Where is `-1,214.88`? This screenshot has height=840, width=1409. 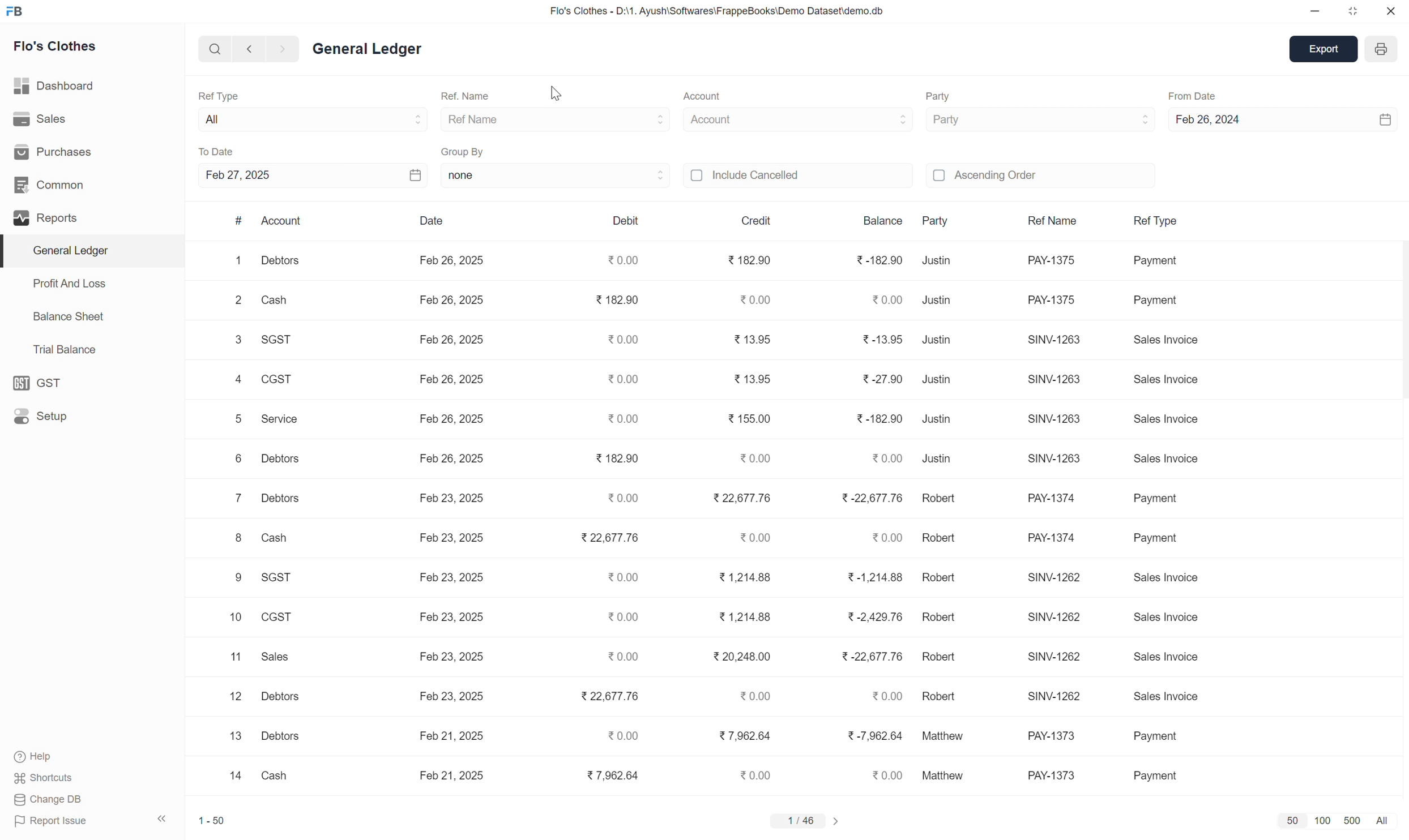 -1,214.88 is located at coordinates (876, 578).